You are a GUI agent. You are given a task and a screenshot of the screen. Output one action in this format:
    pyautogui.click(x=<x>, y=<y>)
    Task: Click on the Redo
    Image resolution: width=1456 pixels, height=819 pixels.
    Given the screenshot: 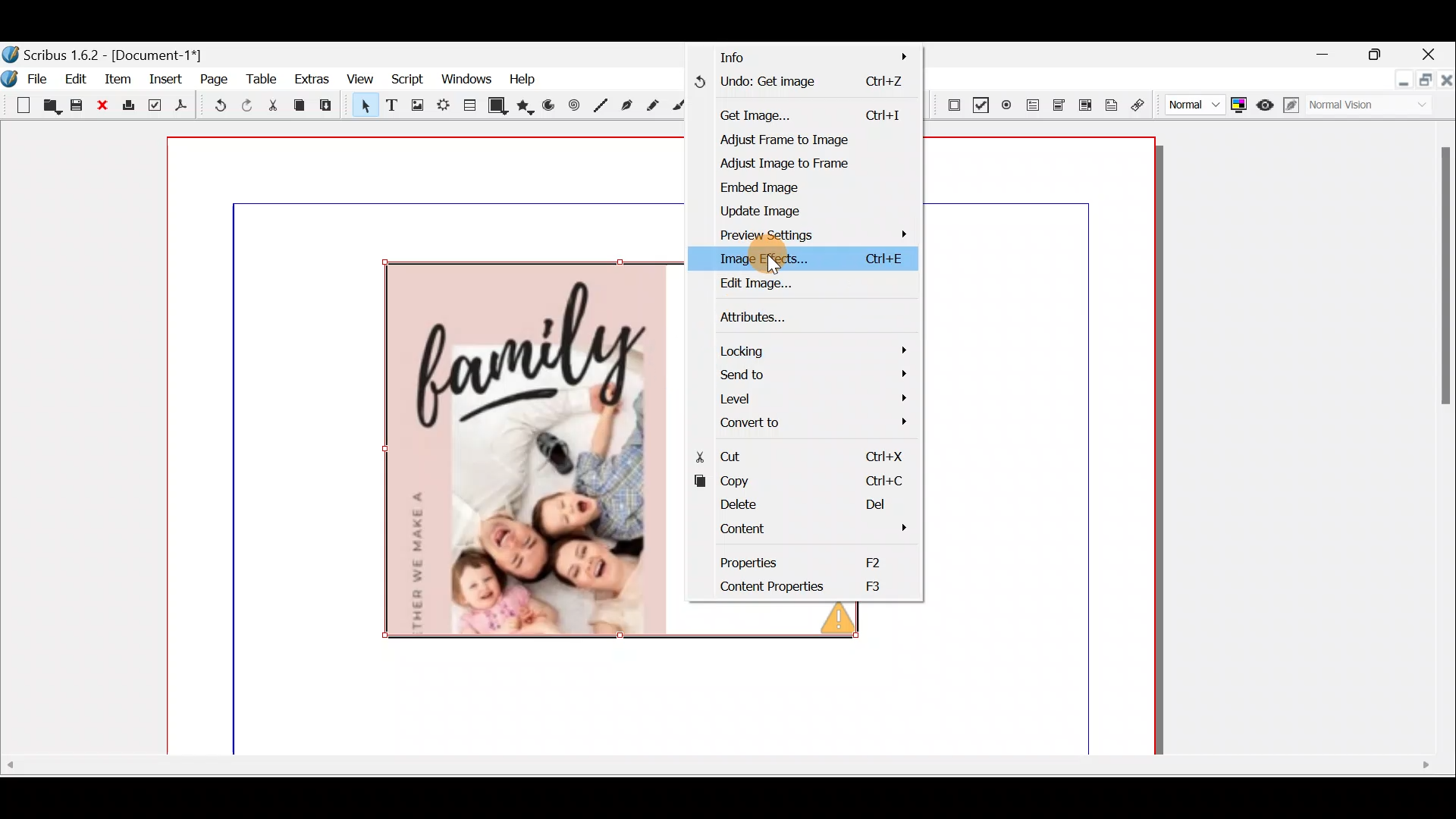 What is the action you would take?
    pyautogui.click(x=246, y=105)
    